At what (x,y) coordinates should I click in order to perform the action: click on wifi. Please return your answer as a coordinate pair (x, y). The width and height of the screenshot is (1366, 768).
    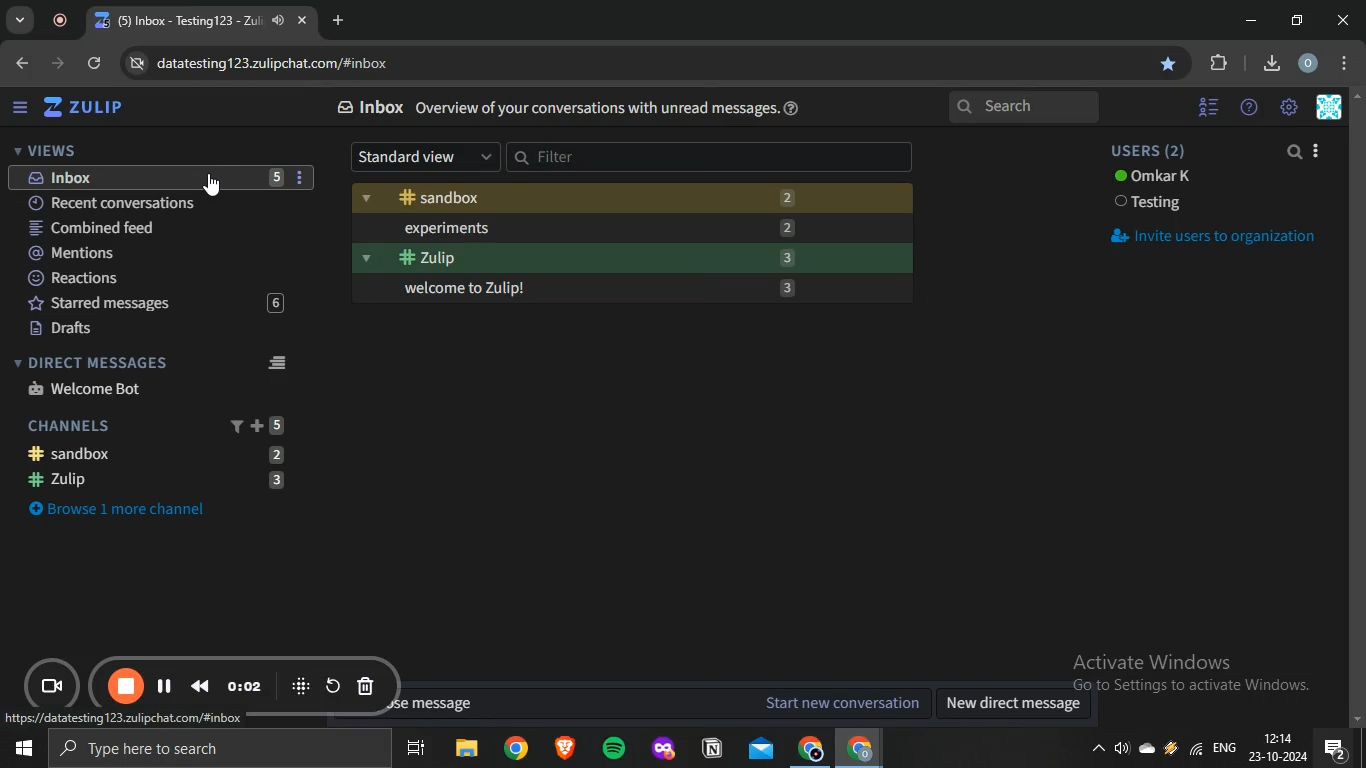
    Looking at the image, I should click on (1194, 754).